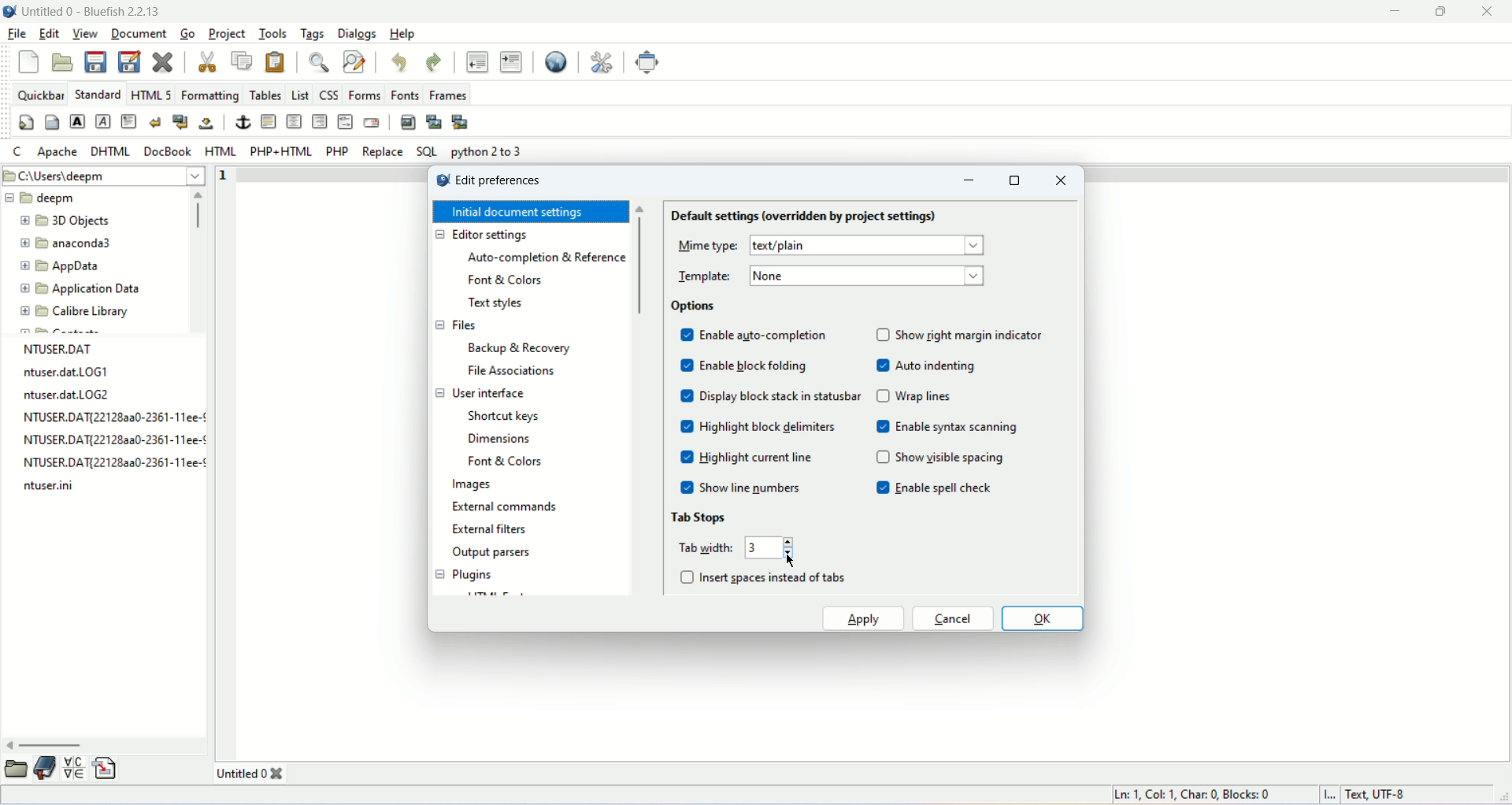  What do you see at coordinates (603, 61) in the screenshot?
I see `edit preferences` at bounding box center [603, 61].